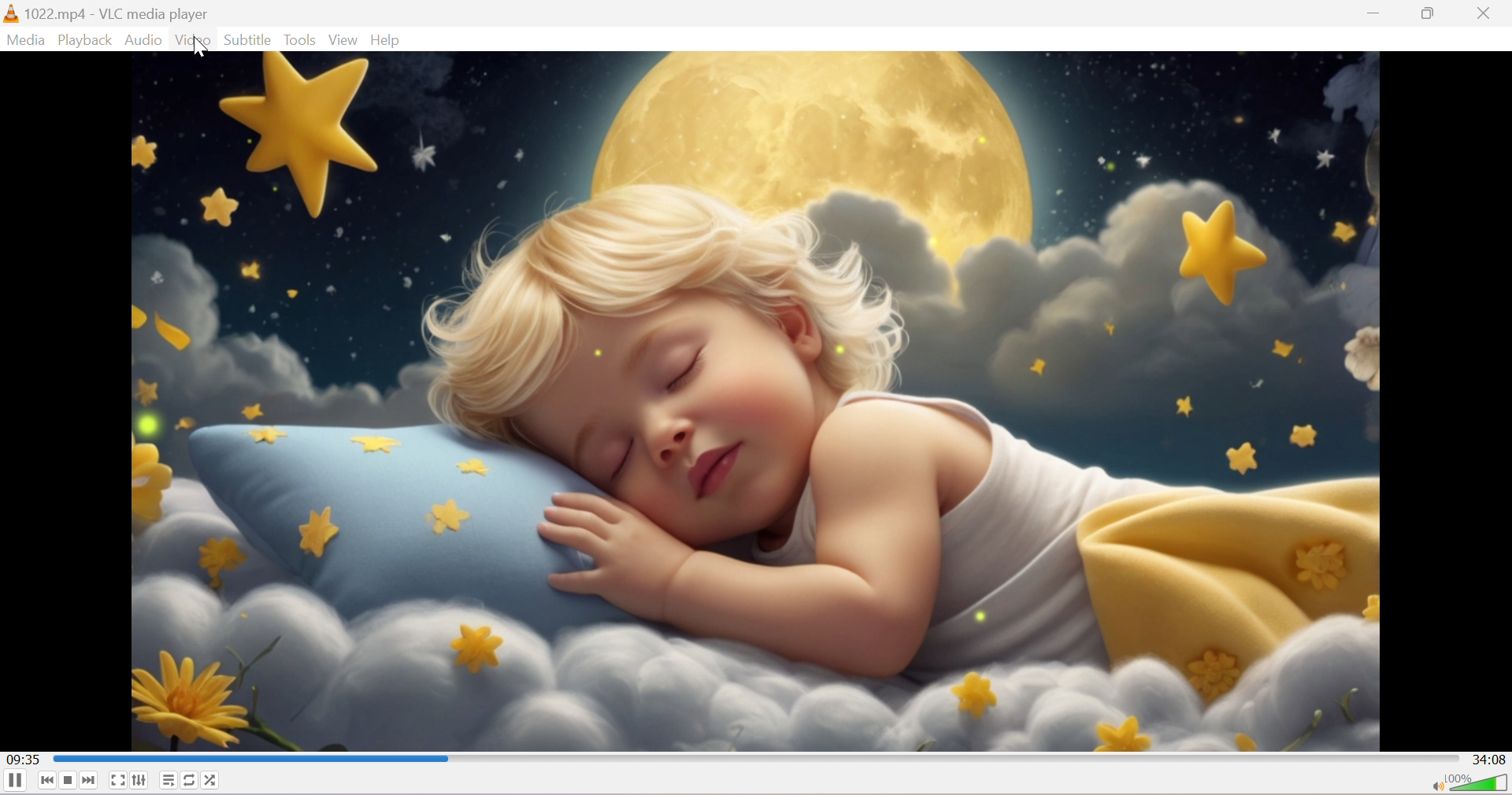 The image size is (1512, 795). What do you see at coordinates (193, 42) in the screenshot?
I see `Video` at bounding box center [193, 42].